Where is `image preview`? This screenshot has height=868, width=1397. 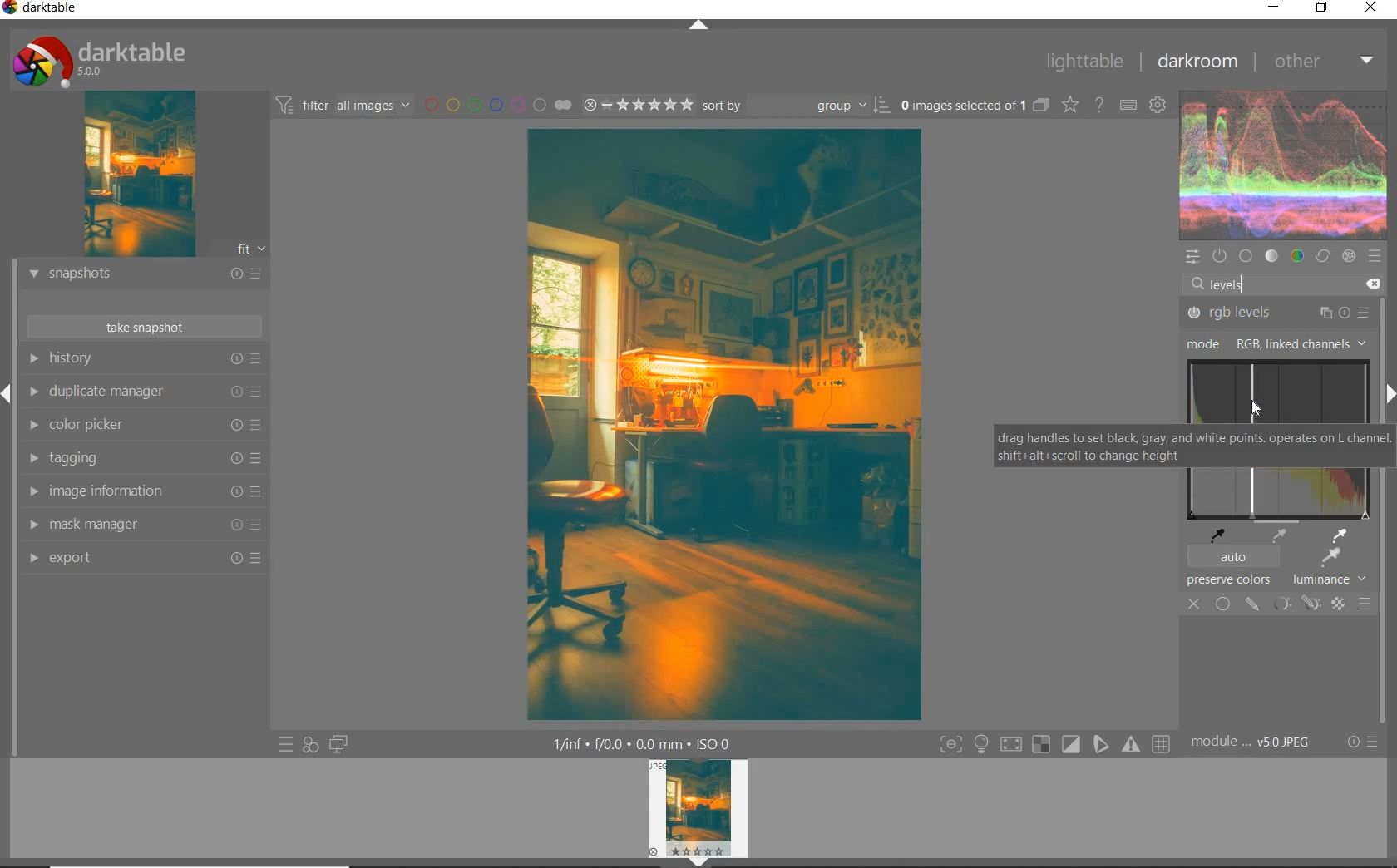
image preview is located at coordinates (698, 813).